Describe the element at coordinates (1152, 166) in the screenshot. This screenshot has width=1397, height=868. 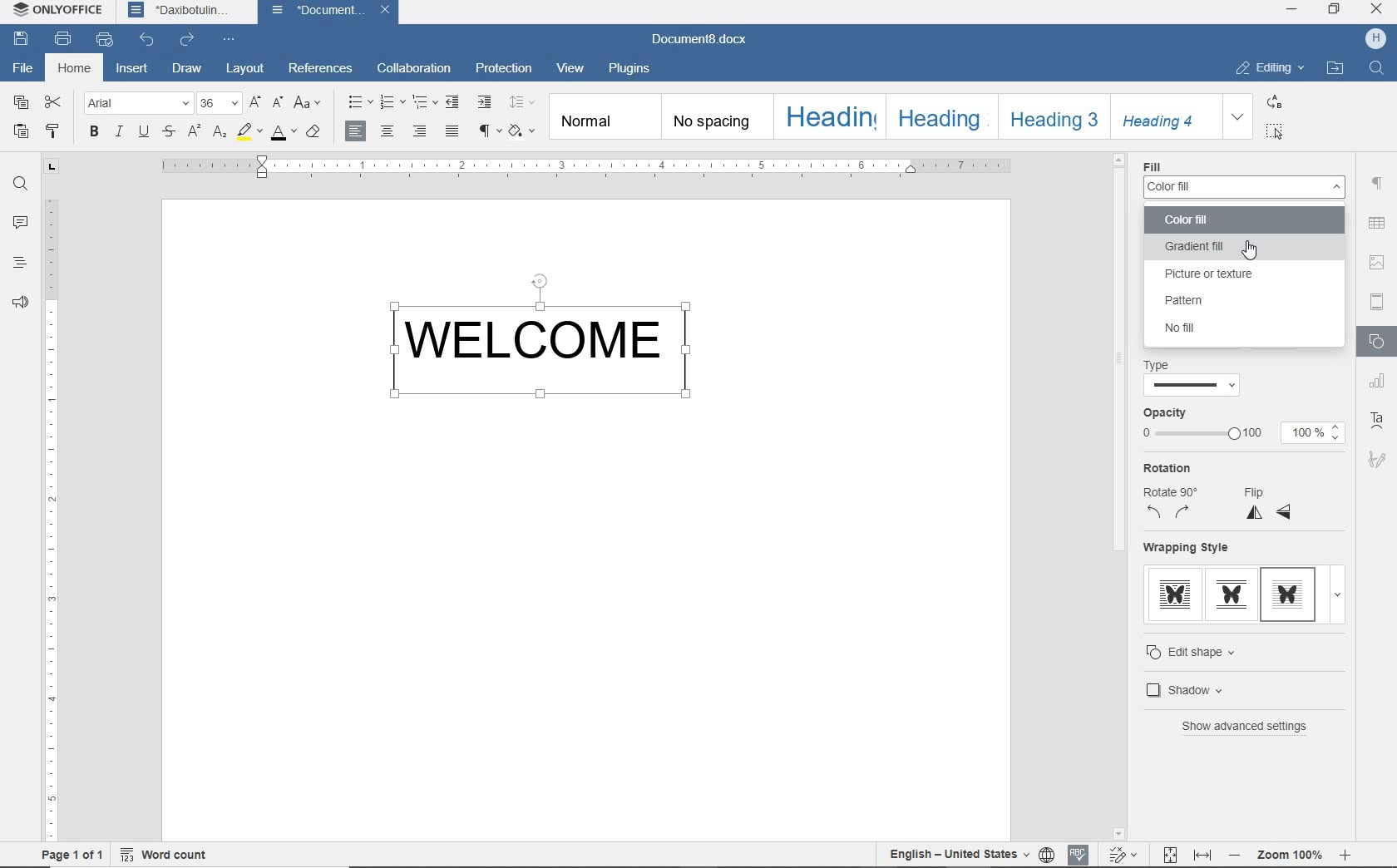
I see `Fill` at that location.